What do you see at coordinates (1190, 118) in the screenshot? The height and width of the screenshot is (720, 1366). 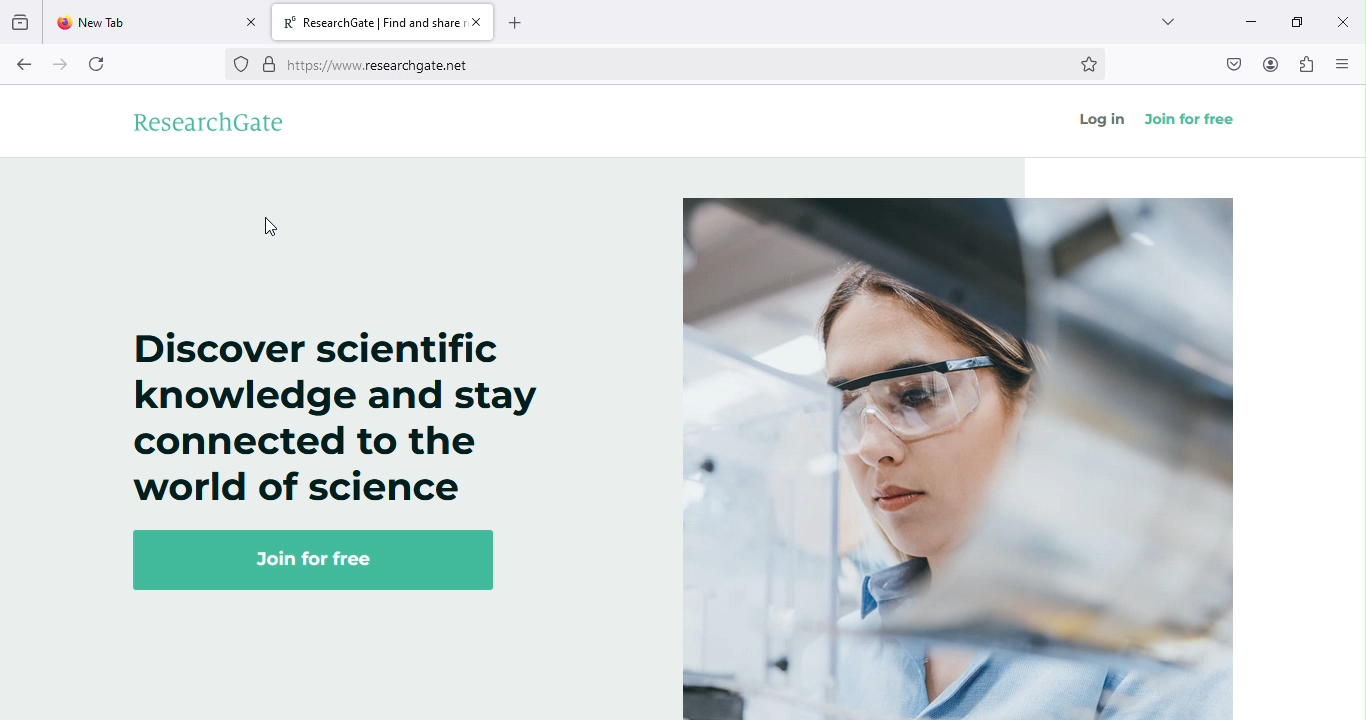 I see `join for free` at bounding box center [1190, 118].